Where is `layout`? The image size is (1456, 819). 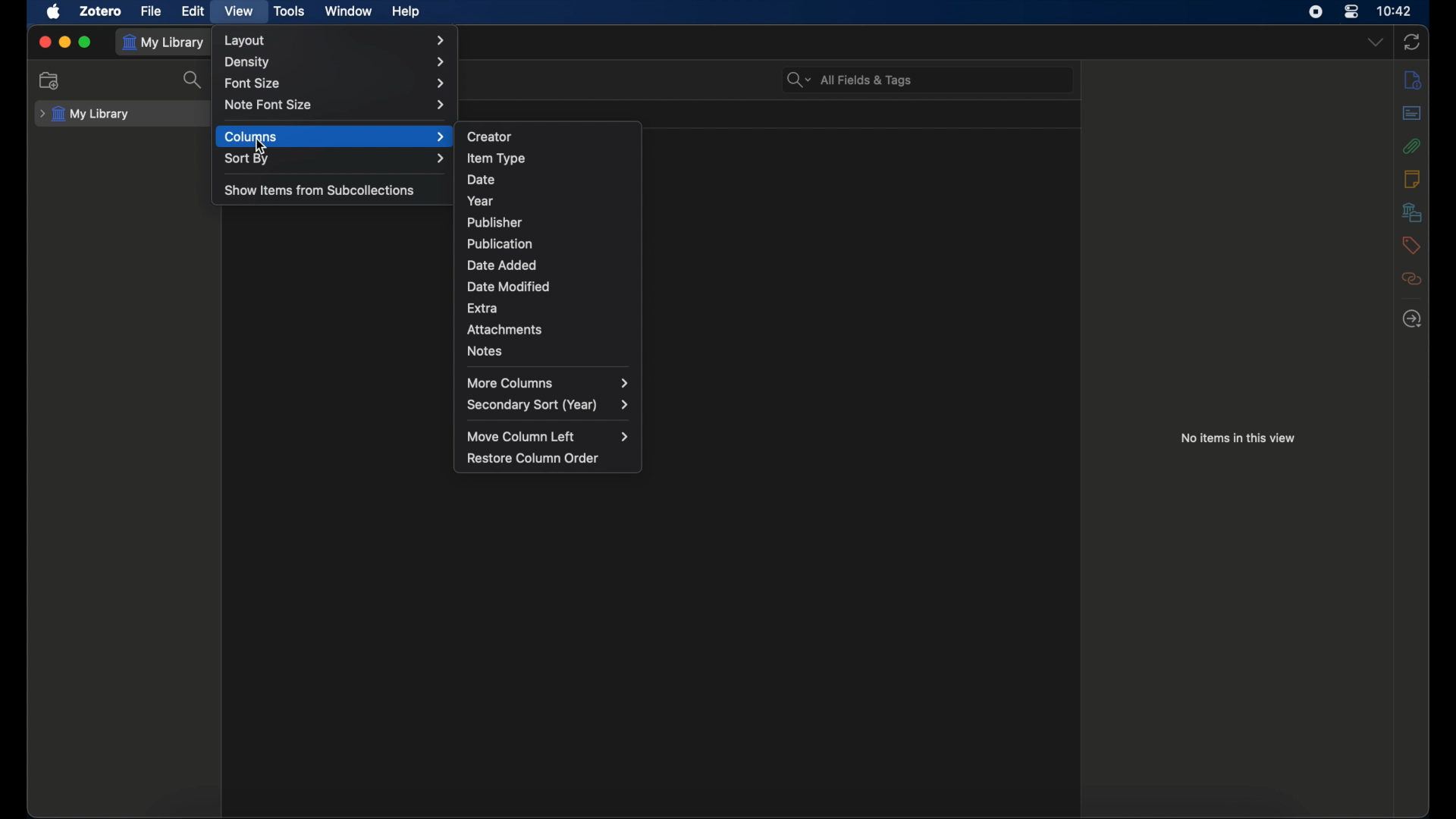
layout is located at coordinates (335, 40).